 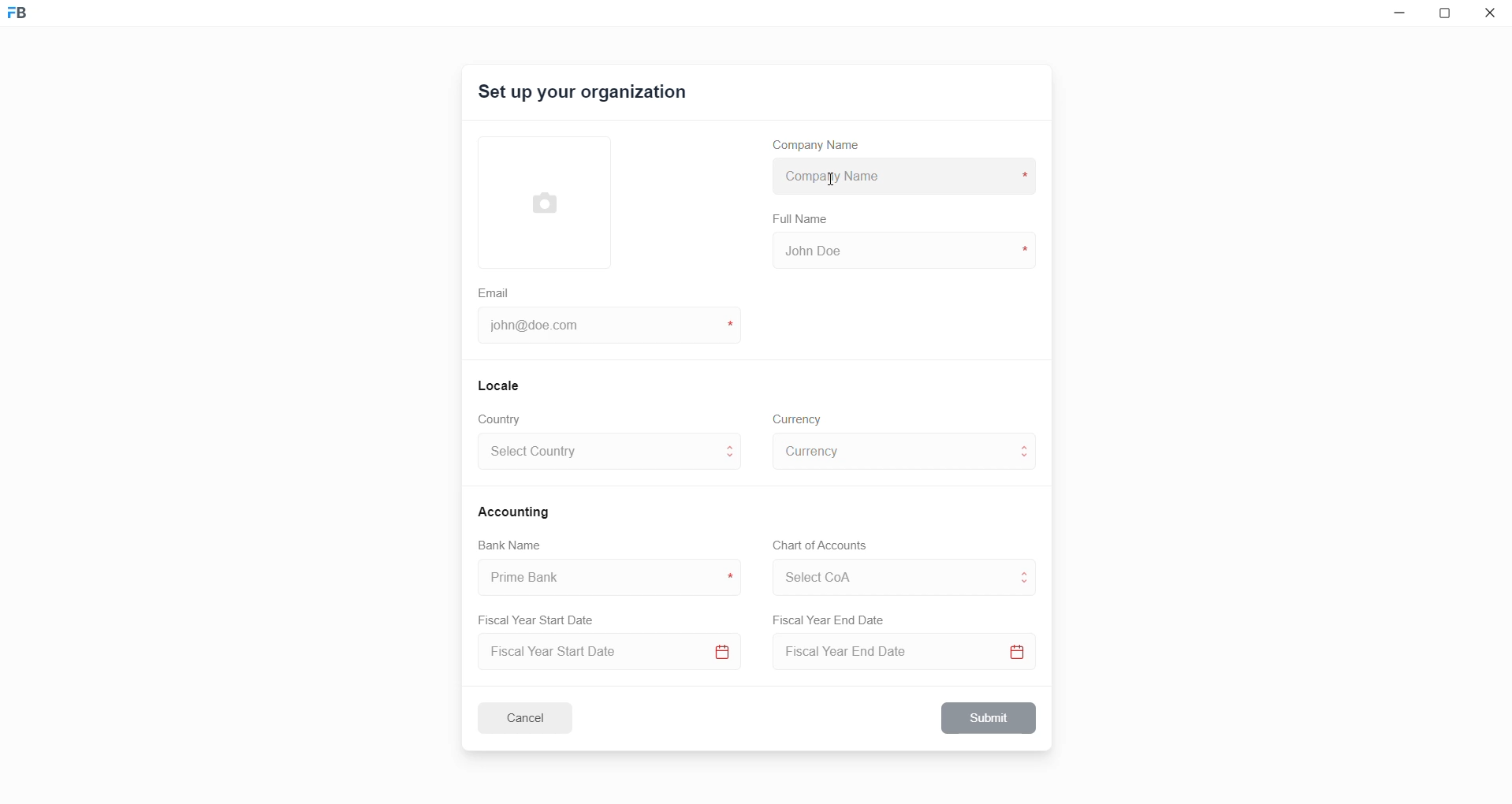 I want to click on Cancel , so click(x=535, y=717).